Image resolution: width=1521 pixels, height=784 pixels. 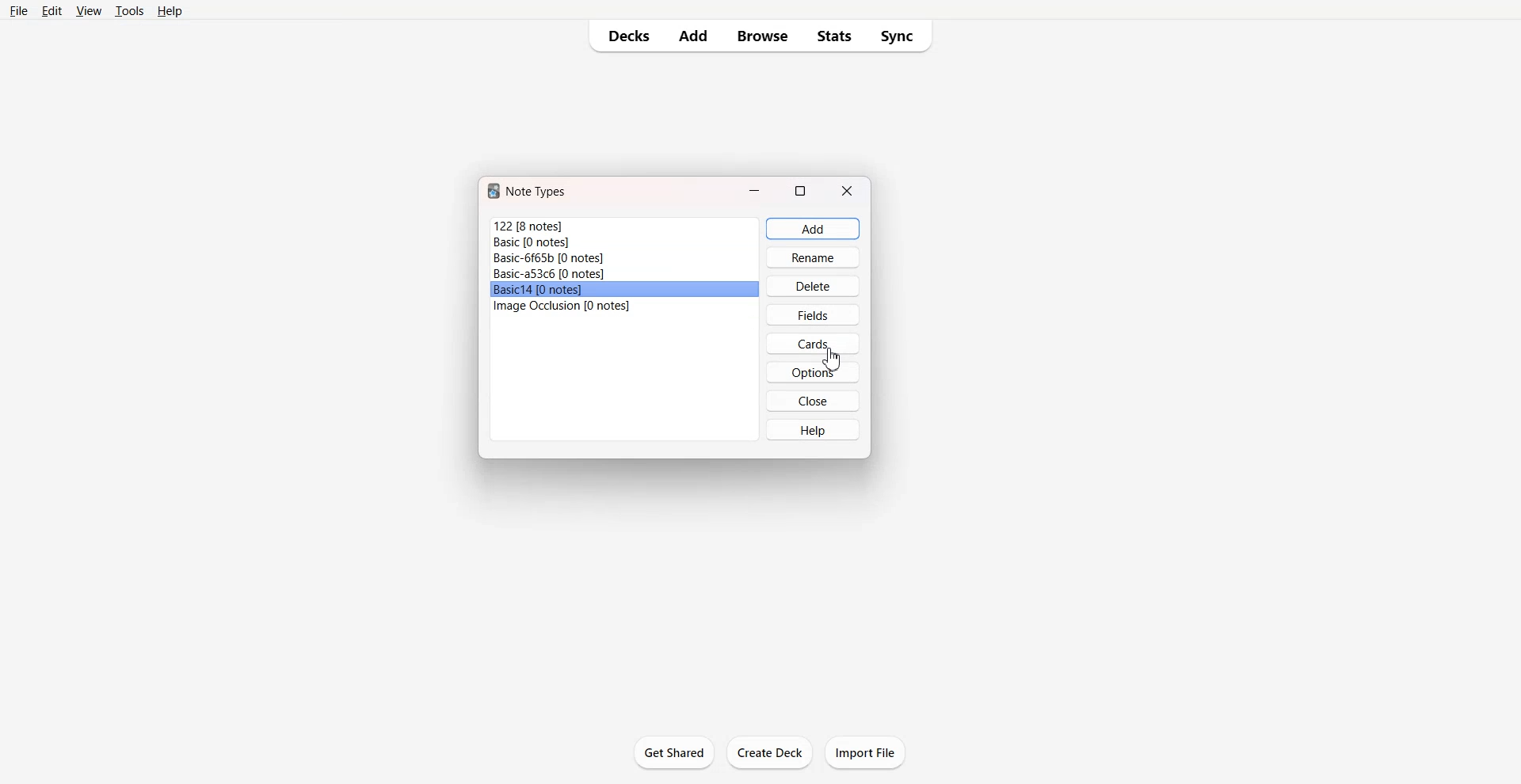 What do you see at coordinates (625, 274) in the screenshot?
I see `File` at bounding box center [625, 274].